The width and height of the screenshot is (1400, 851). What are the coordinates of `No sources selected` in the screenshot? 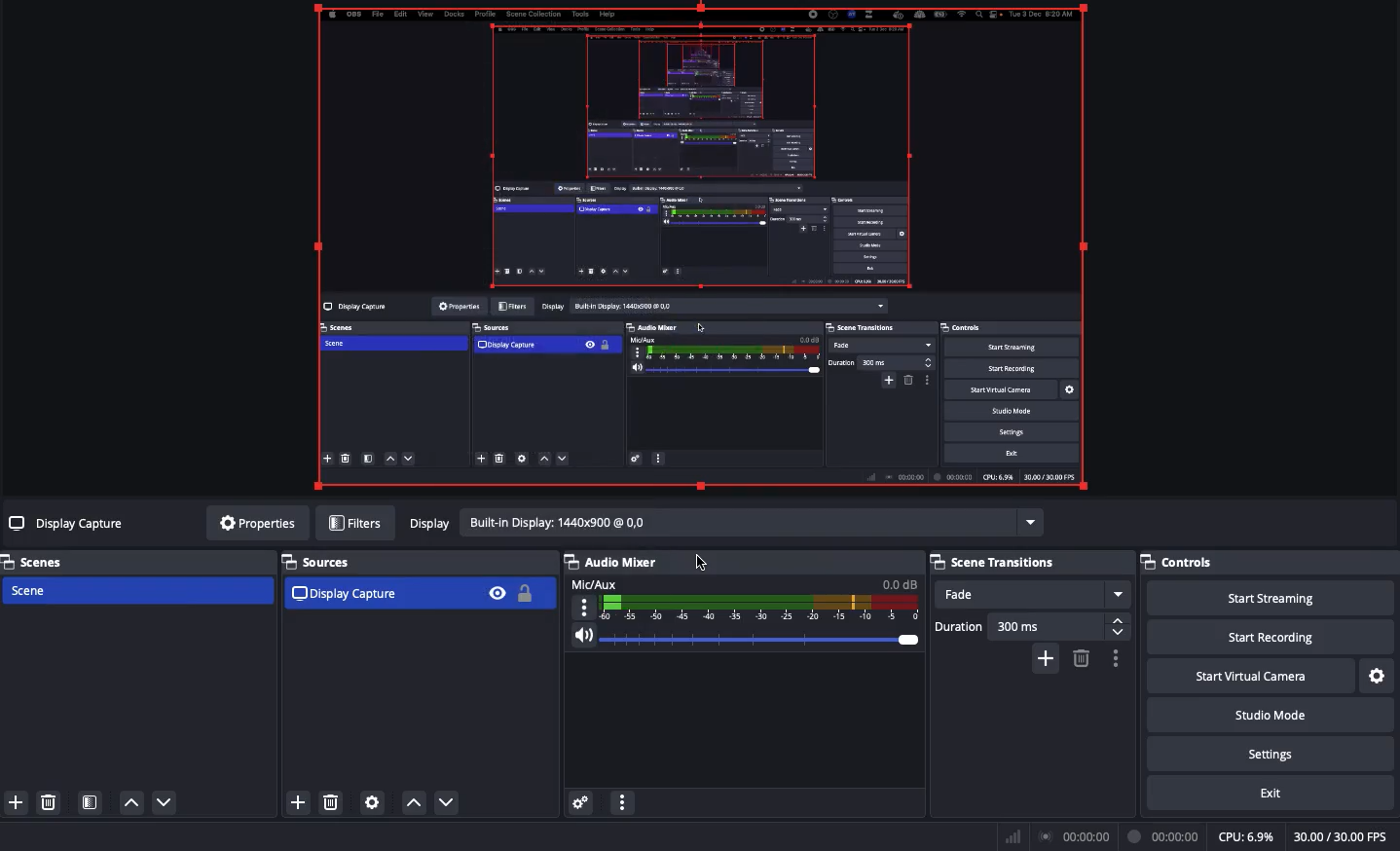 It's located at (67, 524).